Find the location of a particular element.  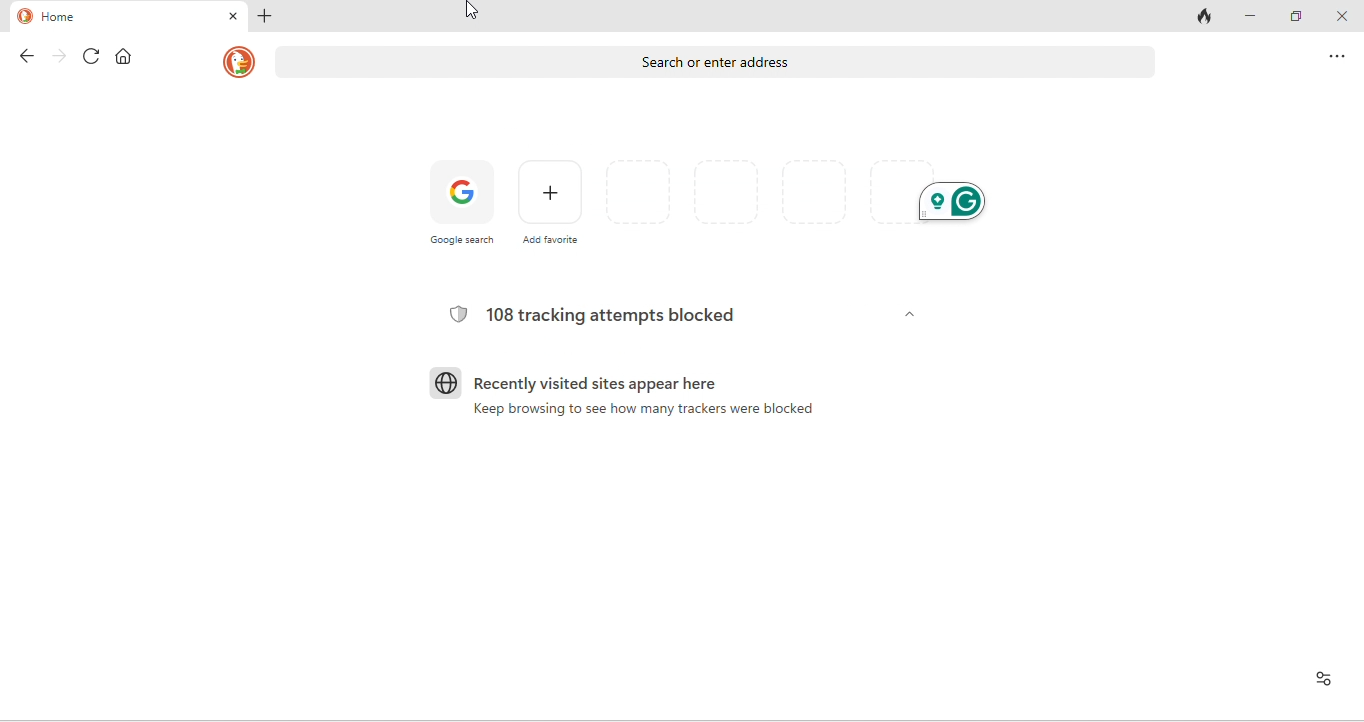

close is located at coordinates (229, 18).